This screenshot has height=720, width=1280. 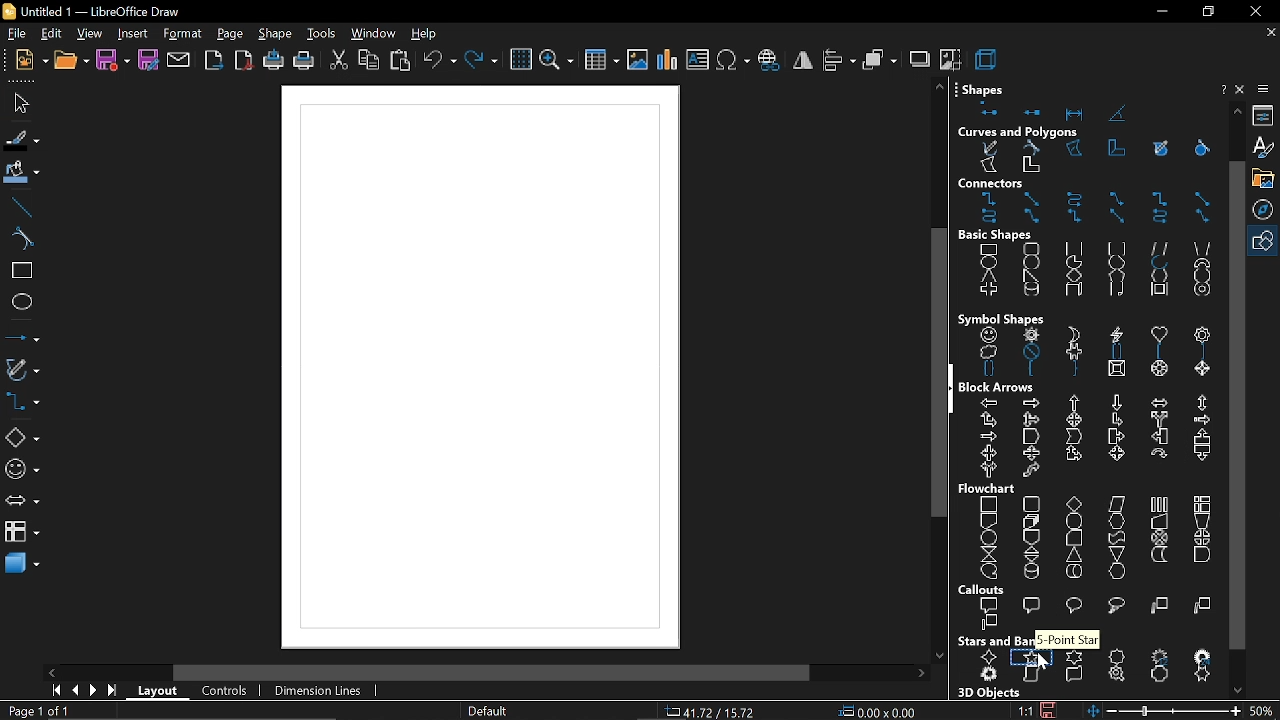 I want to click on cut , so click(x=338, y=60).